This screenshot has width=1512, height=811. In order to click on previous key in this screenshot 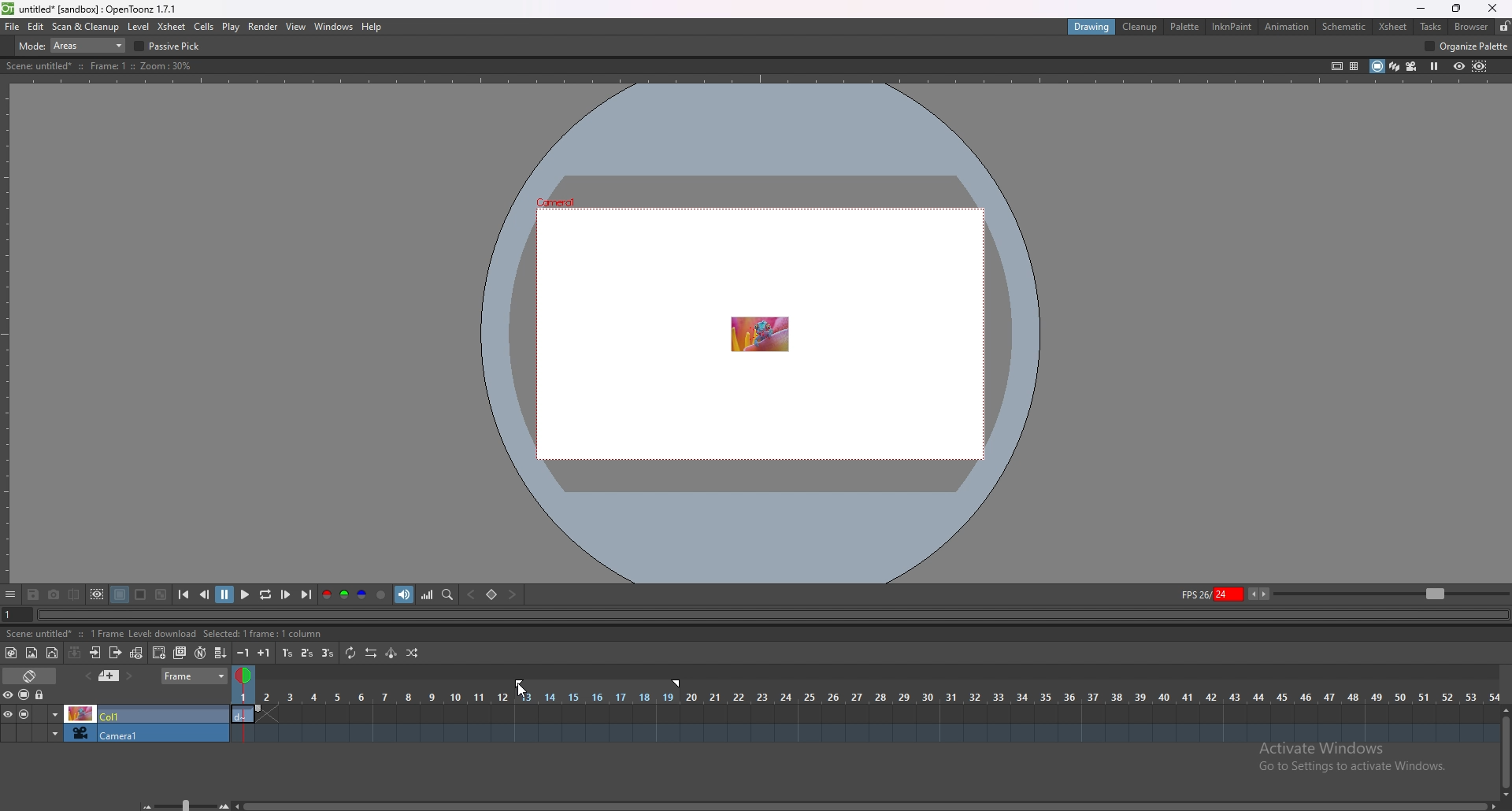, I will do `click(472, 594)`.